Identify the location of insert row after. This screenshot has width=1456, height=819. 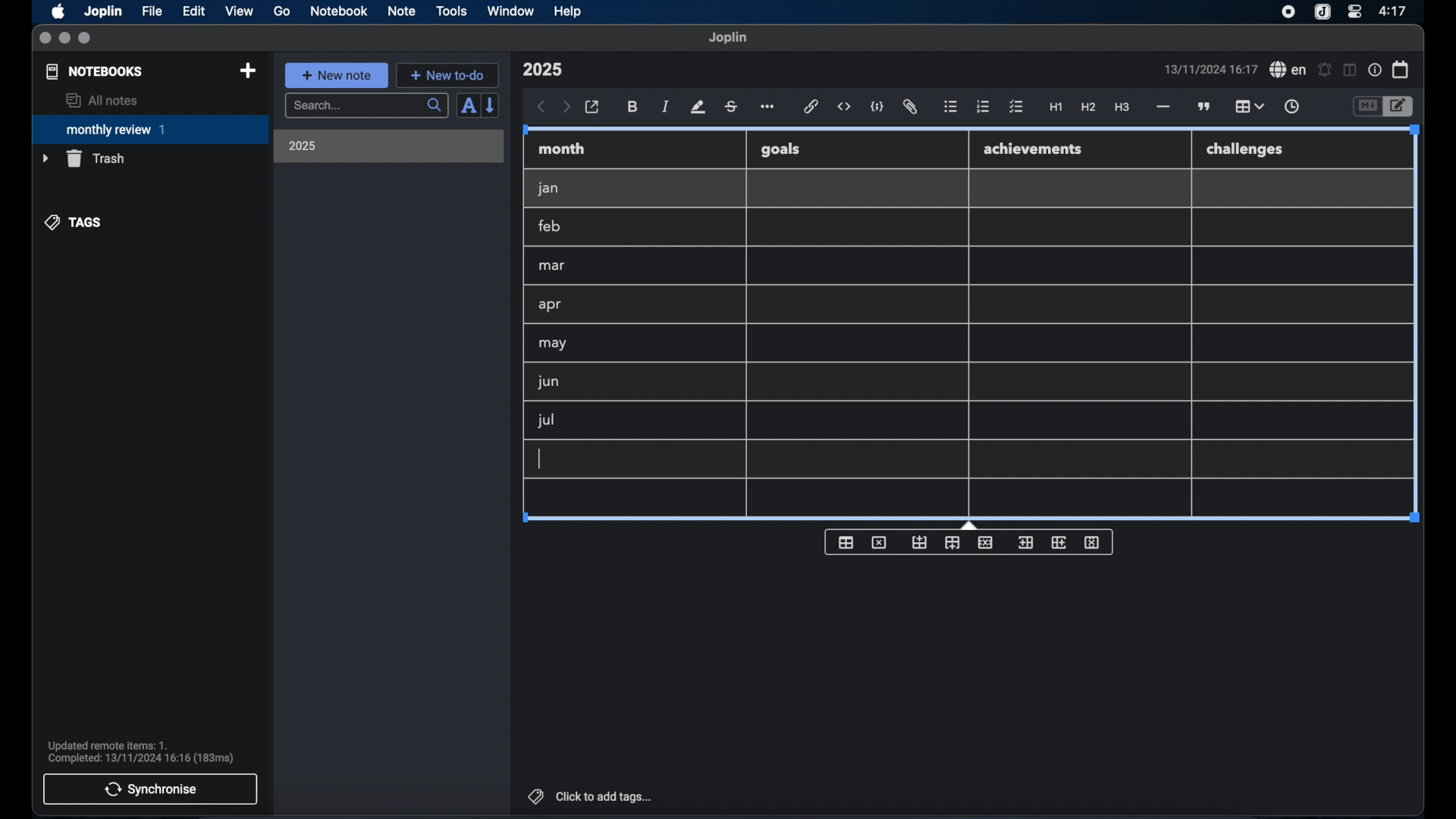
(952, 543).